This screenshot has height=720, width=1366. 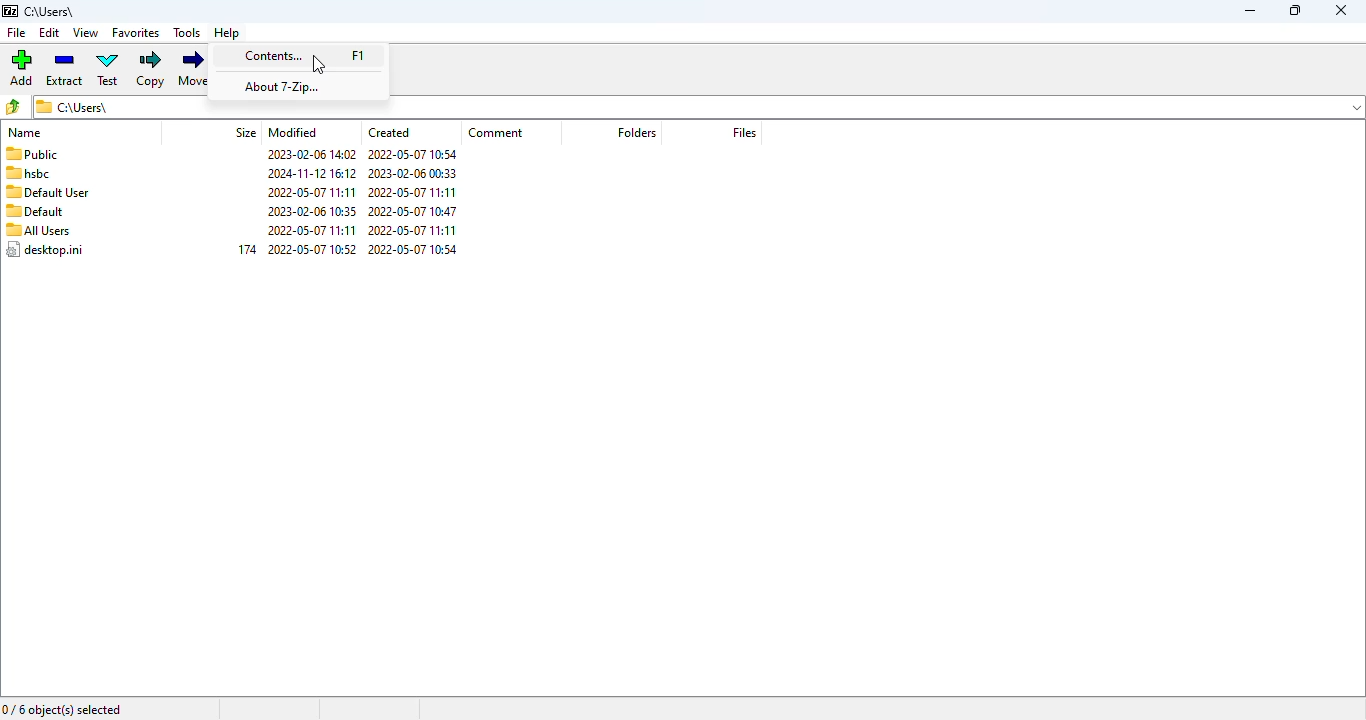 What do you see at coordinates (65, 70) in the screenshot?
I see `extract` at bounding box center [65, 70].